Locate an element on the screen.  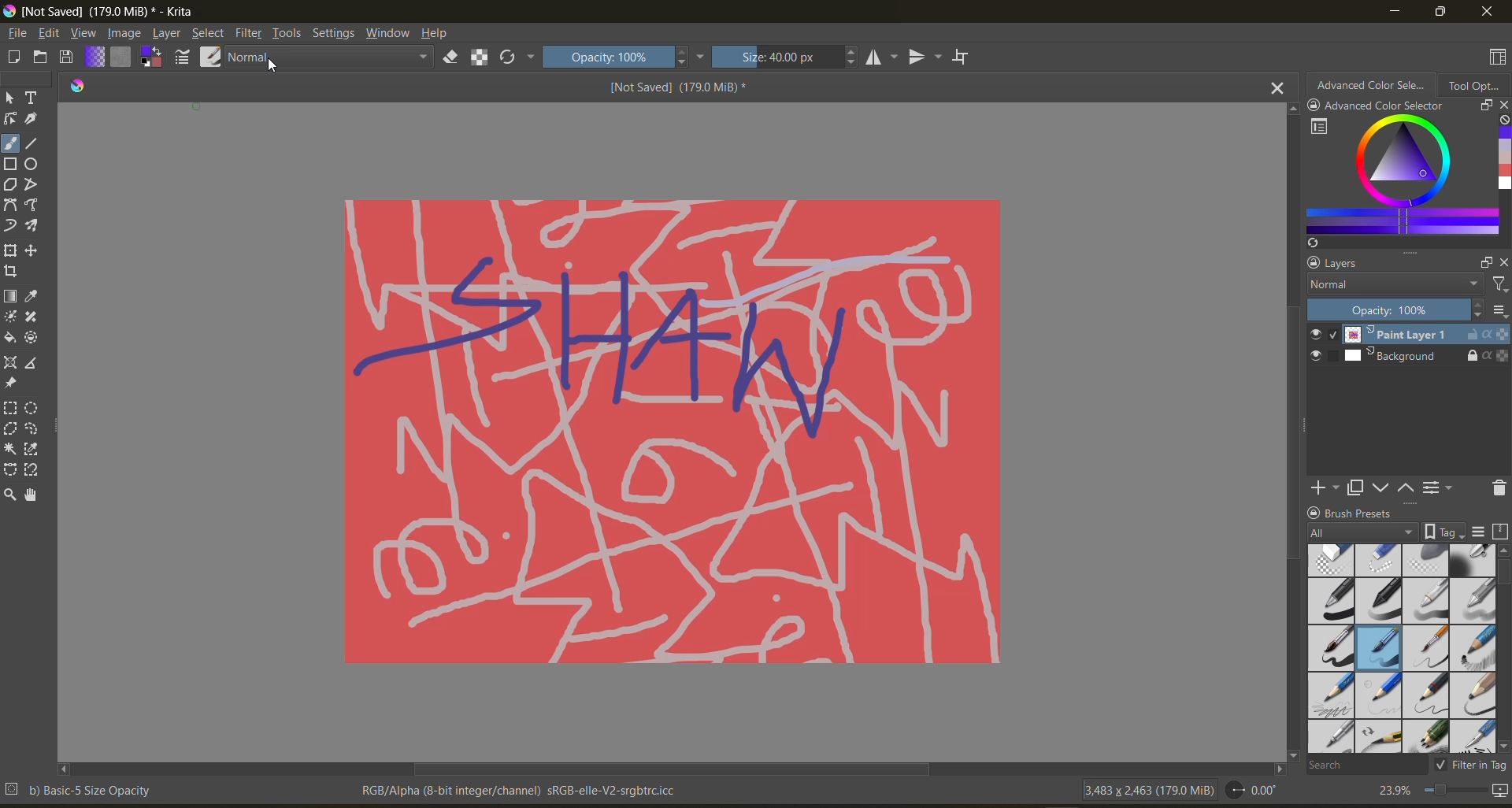
free hand path tool is located at coordinates (35, 205).